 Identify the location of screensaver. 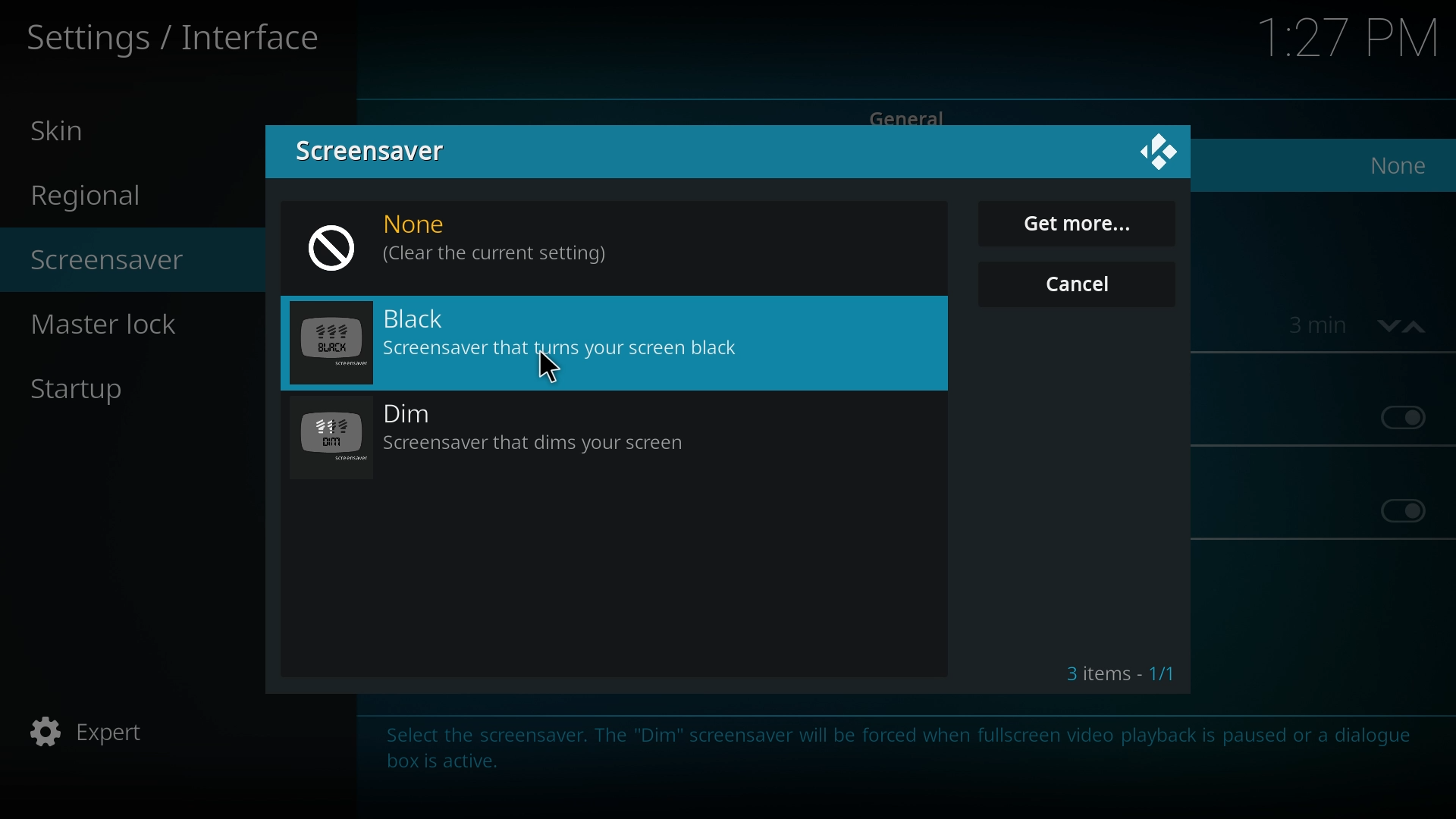
(374, 151).